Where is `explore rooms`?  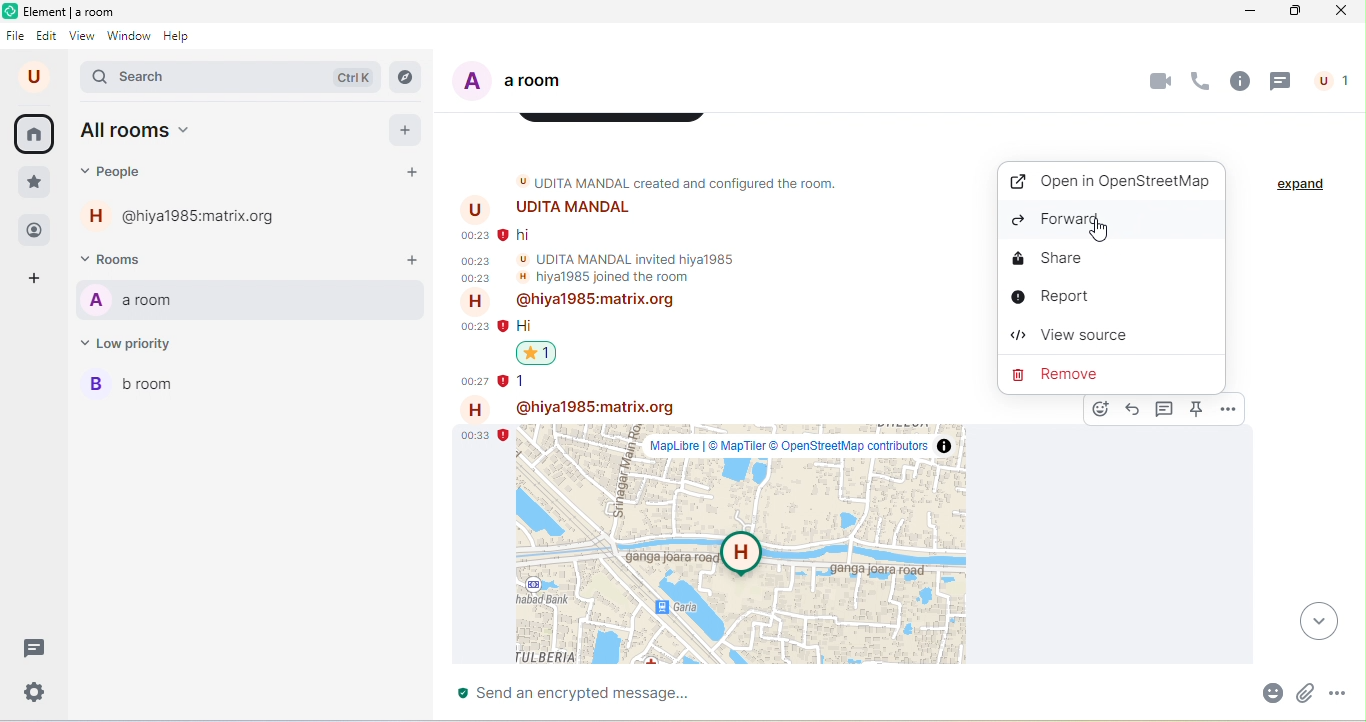
explore rooms is located at coordinates (407, 79).